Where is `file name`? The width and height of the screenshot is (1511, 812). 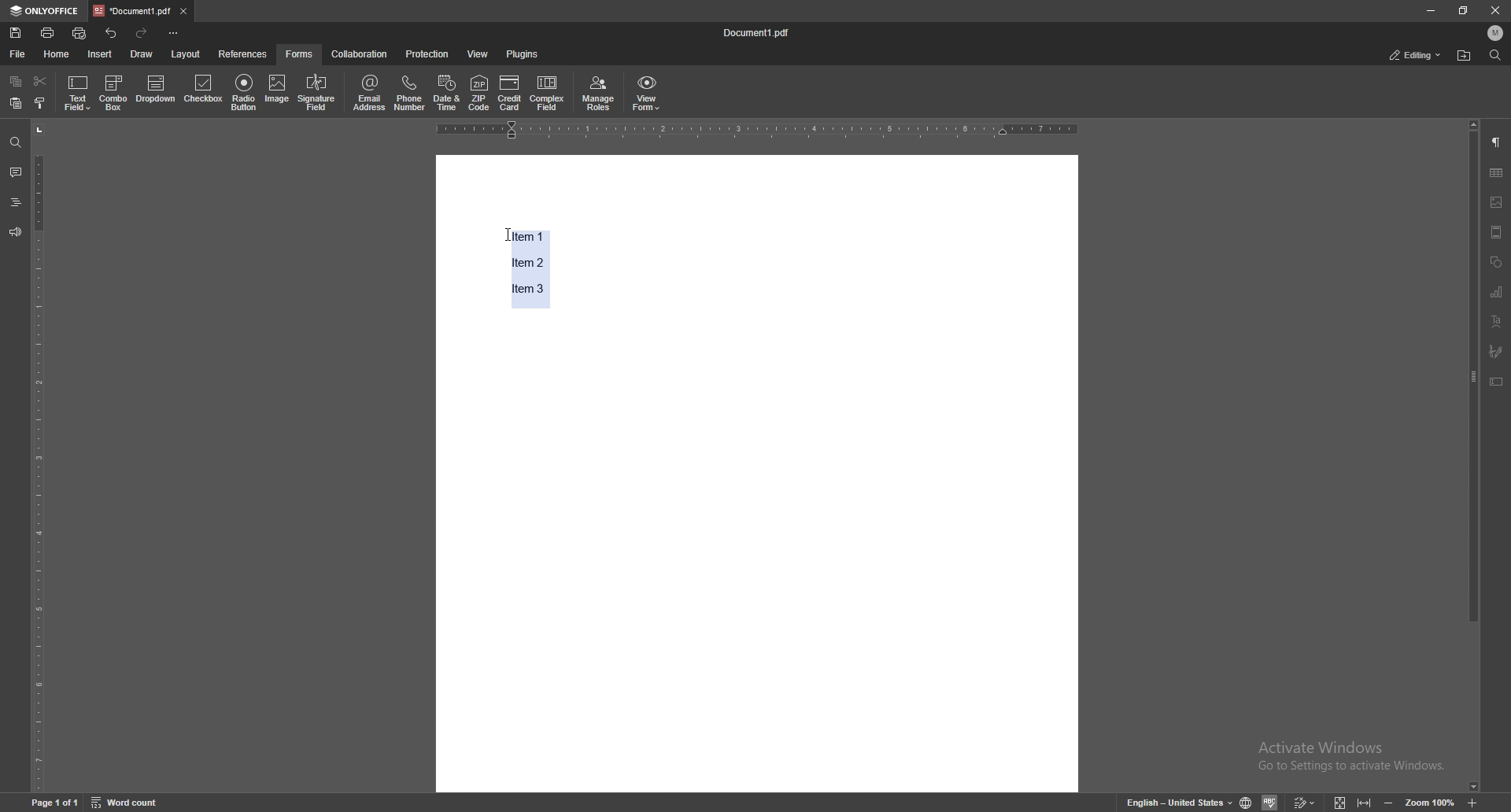
file name is located at coordinates (759, 31).